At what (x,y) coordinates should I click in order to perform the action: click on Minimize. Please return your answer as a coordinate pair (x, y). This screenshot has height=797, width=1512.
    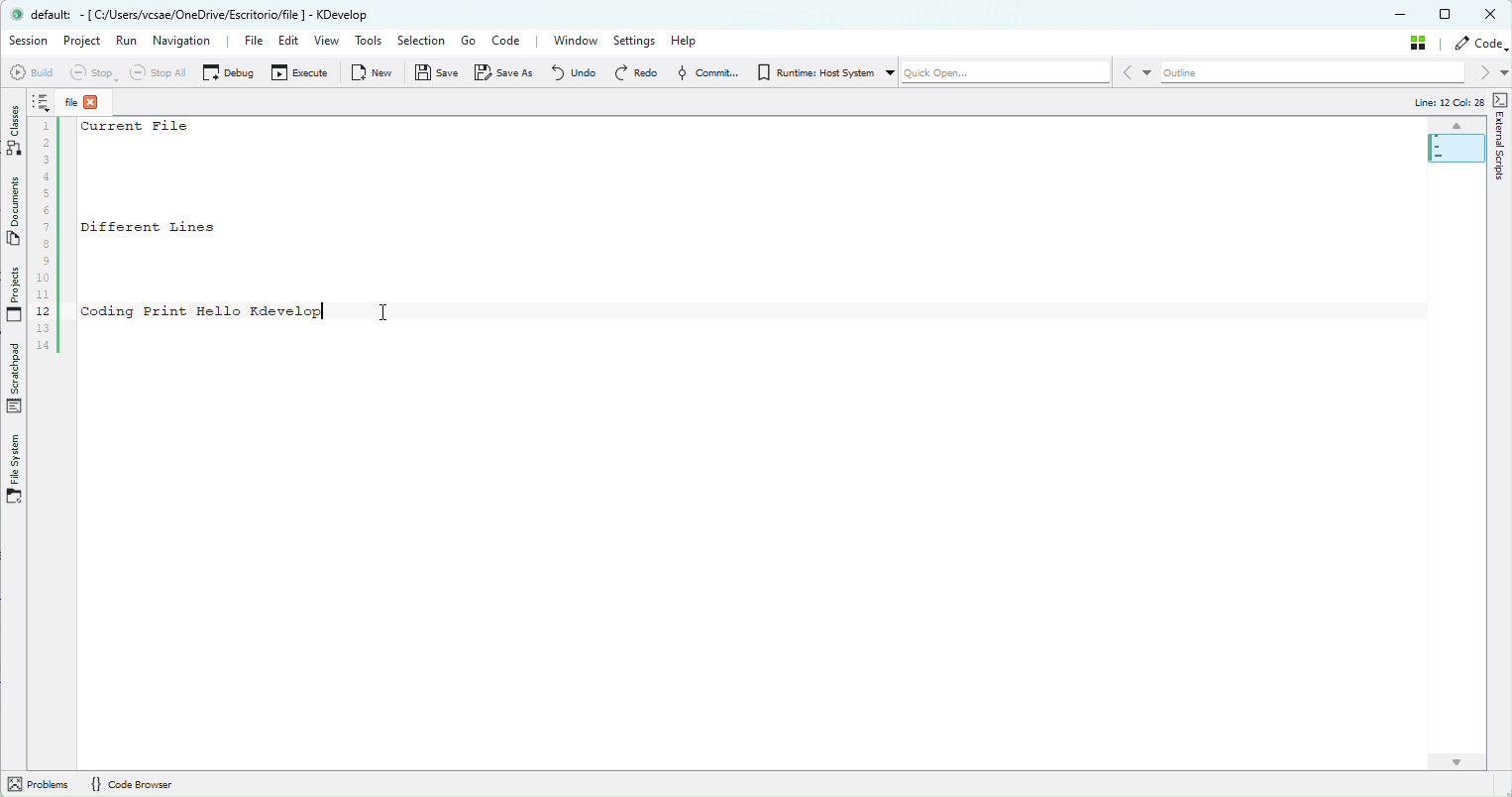
    Looking at the image, I should click on (1399, 14).